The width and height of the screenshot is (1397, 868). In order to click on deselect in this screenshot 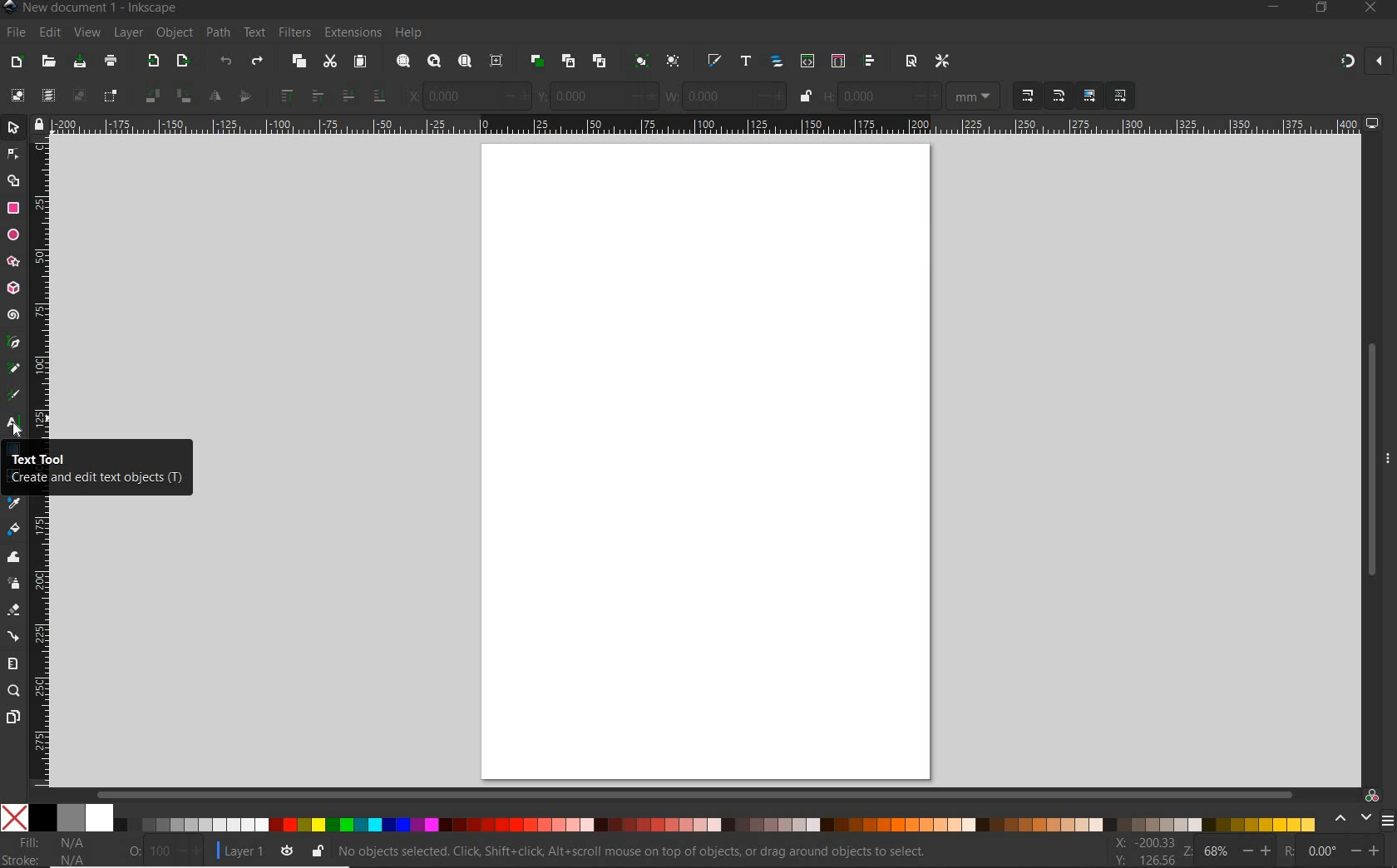, I will do `click(79, 98)`.